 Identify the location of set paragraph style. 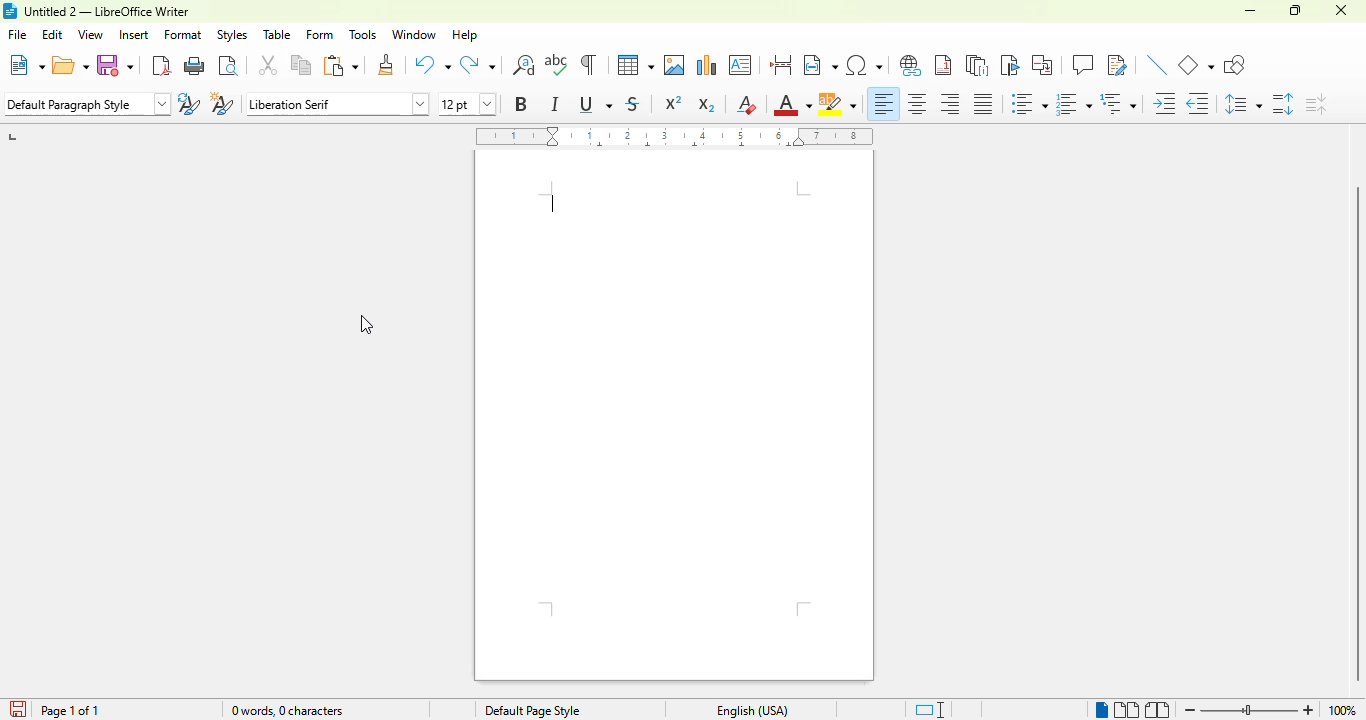
(87, 104).